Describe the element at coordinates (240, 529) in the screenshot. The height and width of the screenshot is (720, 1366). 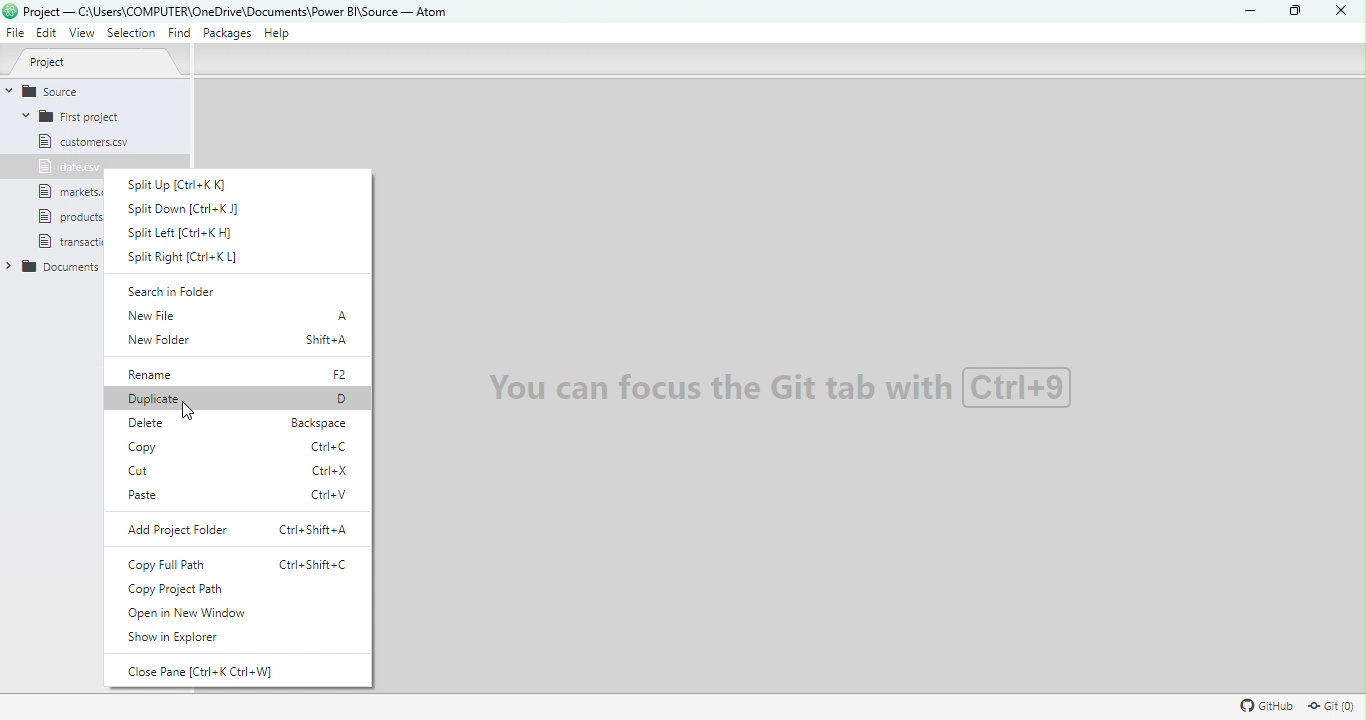
I see `Add project folder` at that location.